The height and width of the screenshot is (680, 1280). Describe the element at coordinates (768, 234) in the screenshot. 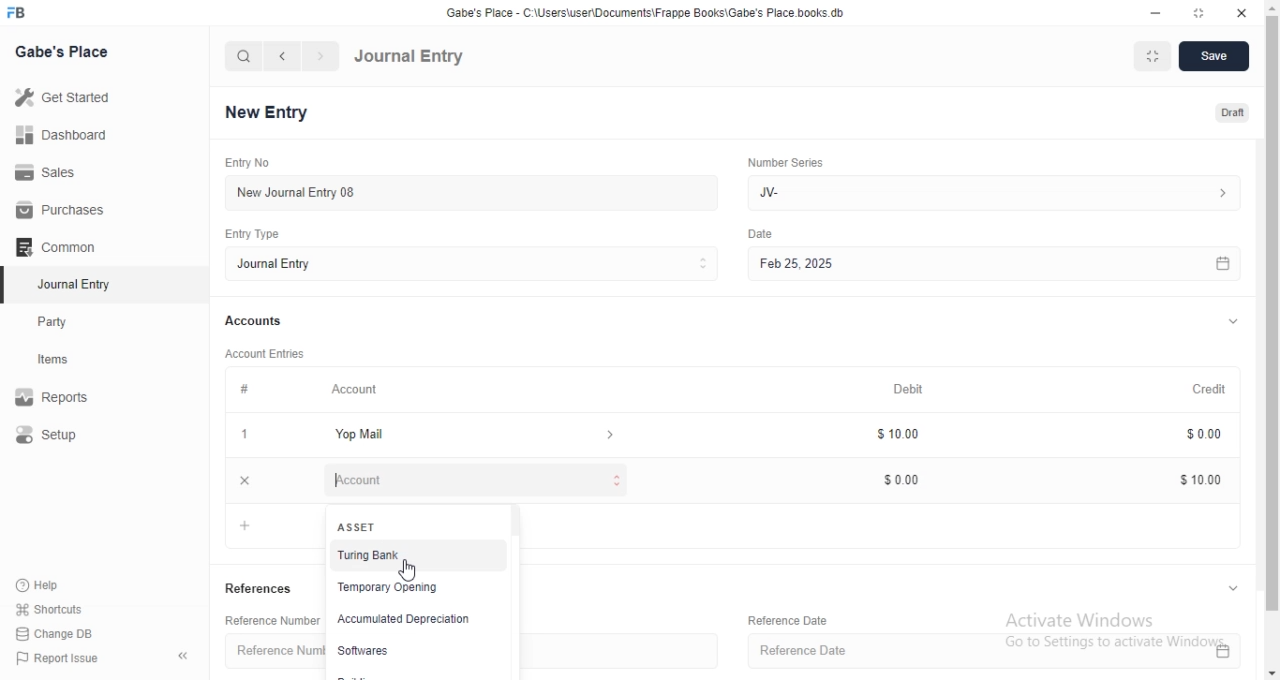

I see `` at that location.